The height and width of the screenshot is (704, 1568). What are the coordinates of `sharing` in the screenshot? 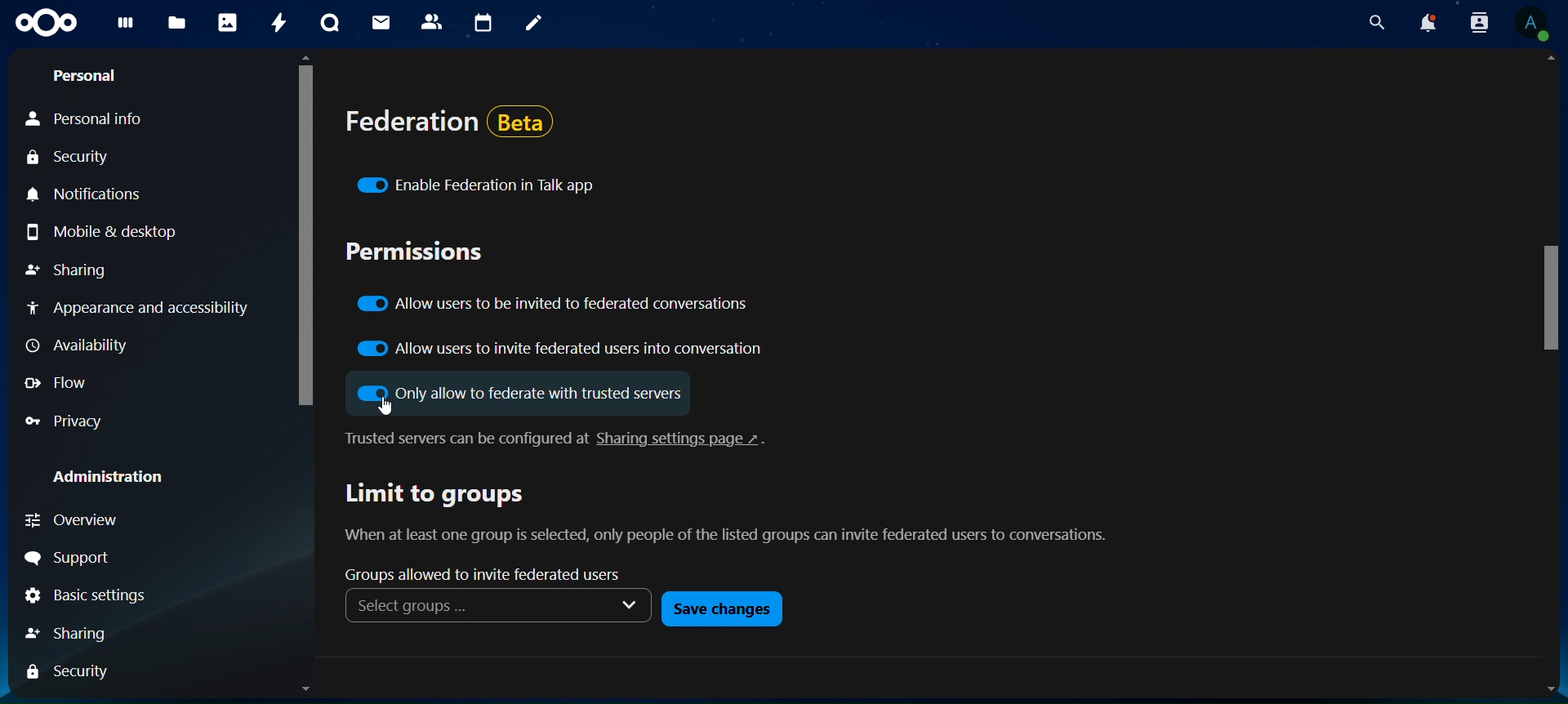 It's located at (69, 274).